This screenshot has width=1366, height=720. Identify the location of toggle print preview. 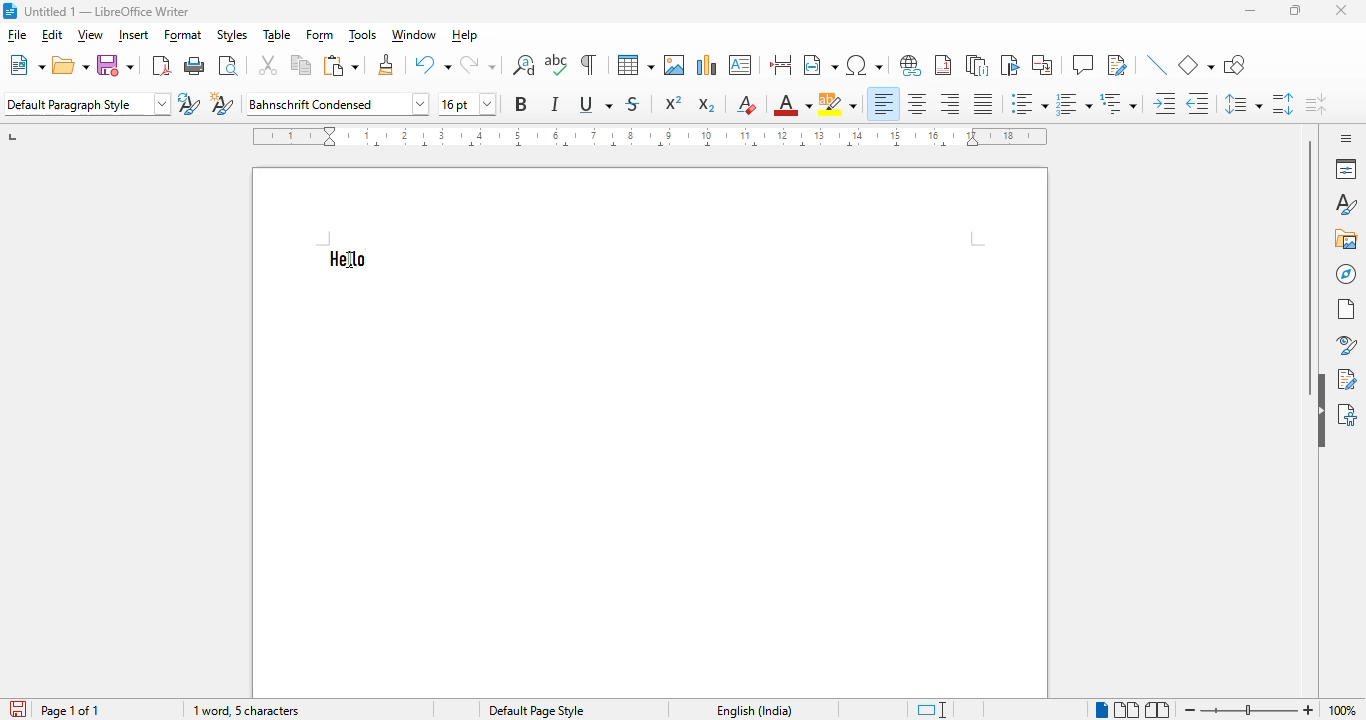
(229, 65).